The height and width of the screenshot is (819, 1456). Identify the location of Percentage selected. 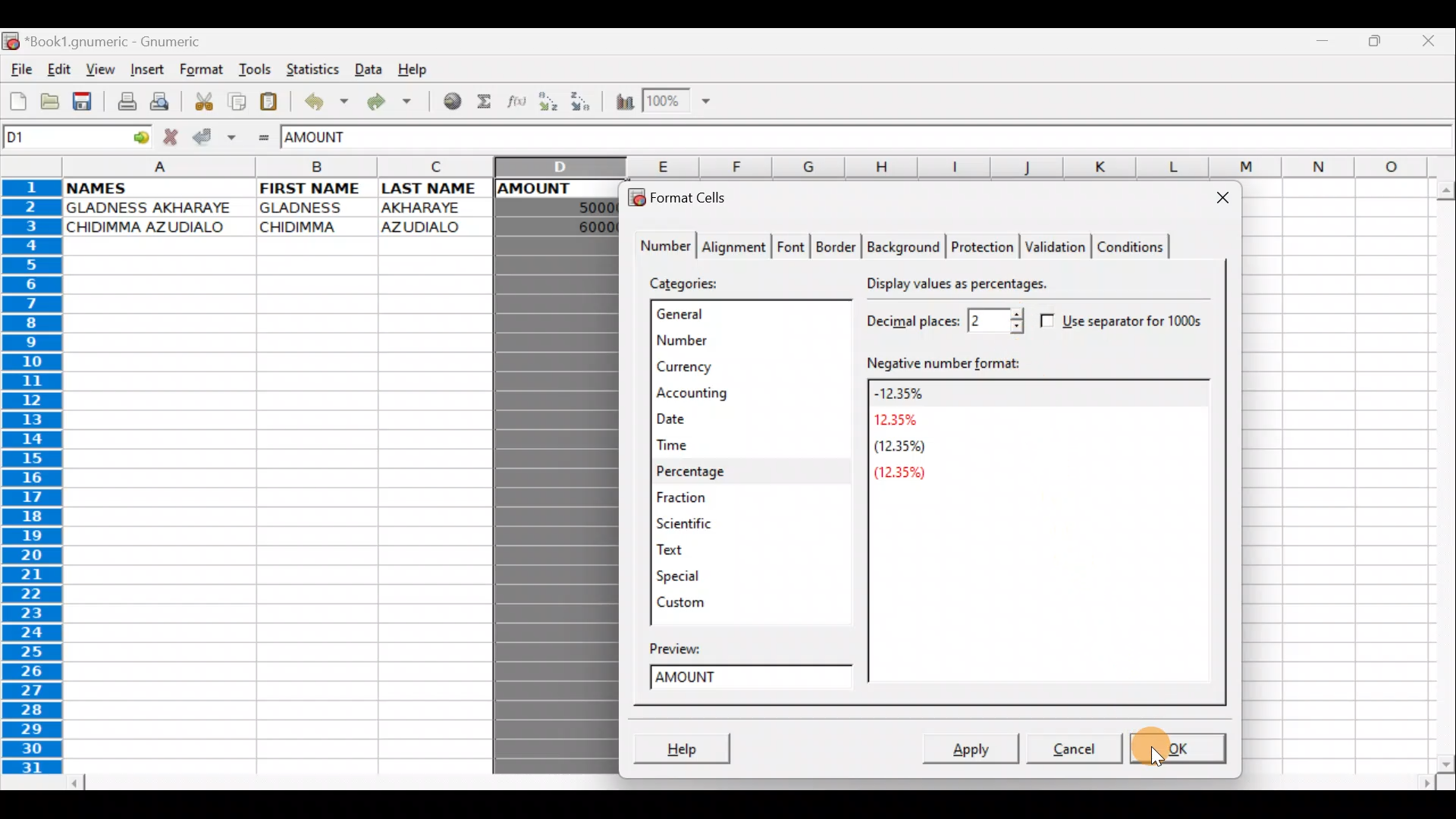
(747, 472).